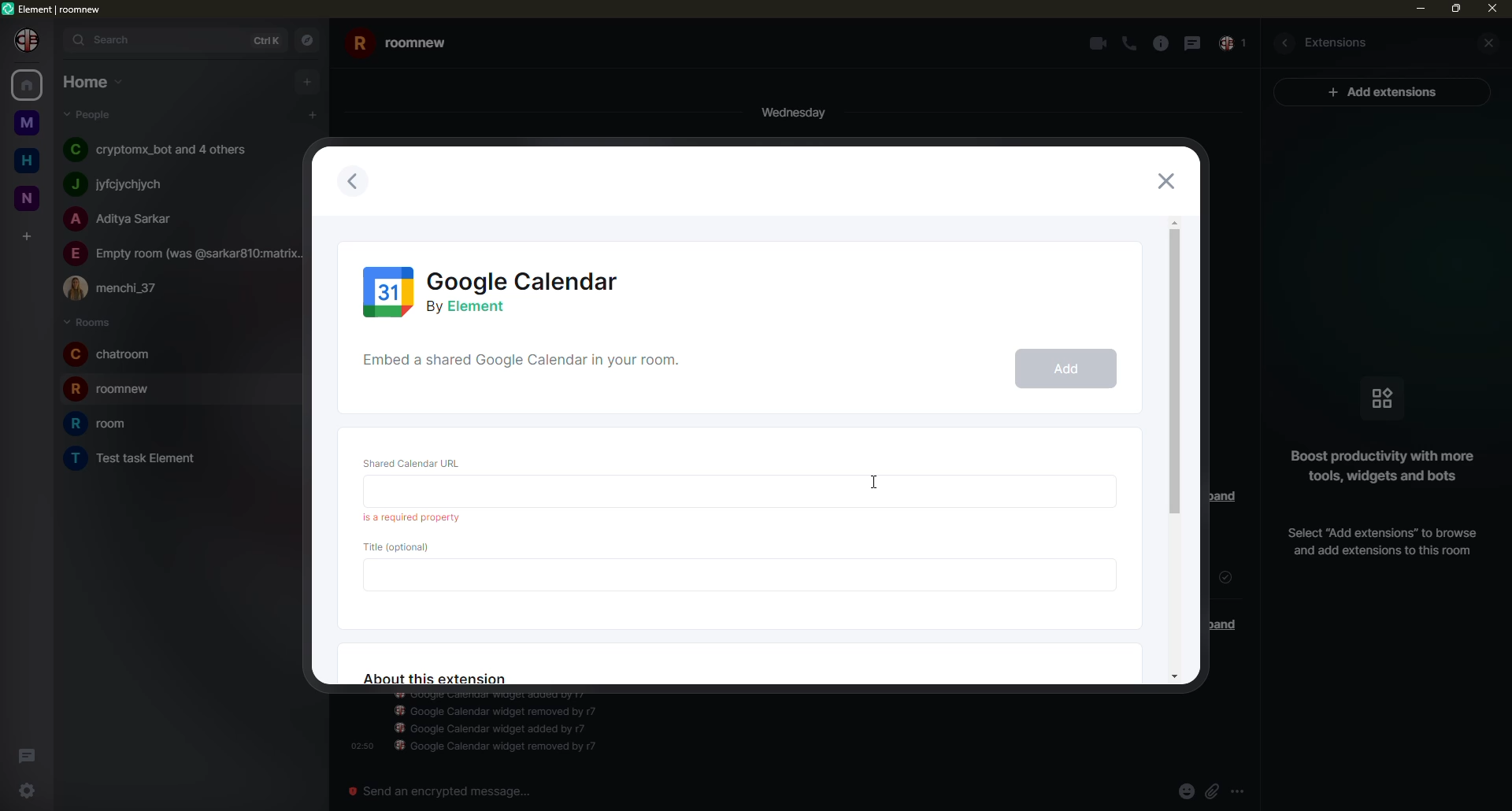  I want to click on required, so click(413, 517).